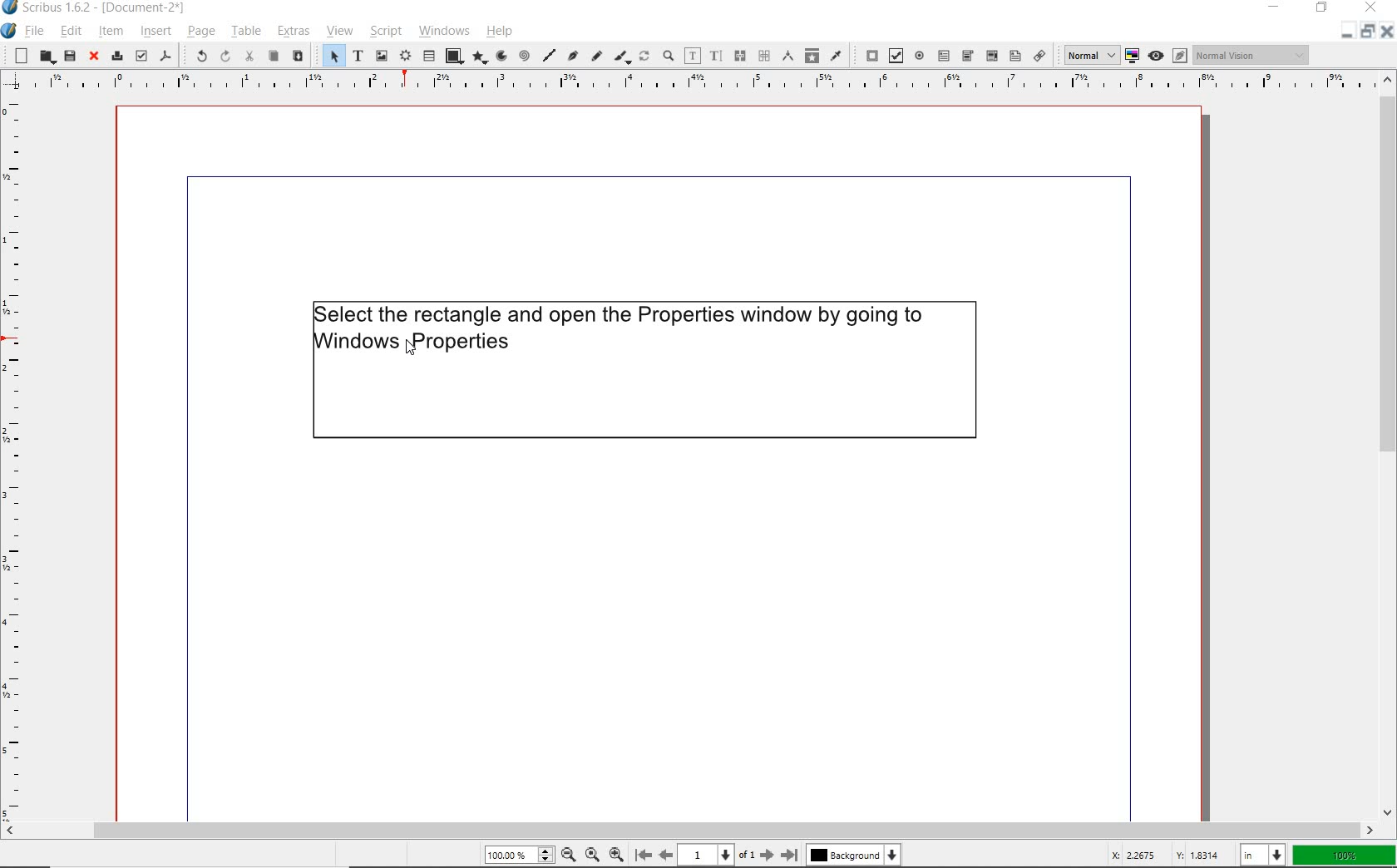  I want to click on pdf radio button, so click(919, 55).